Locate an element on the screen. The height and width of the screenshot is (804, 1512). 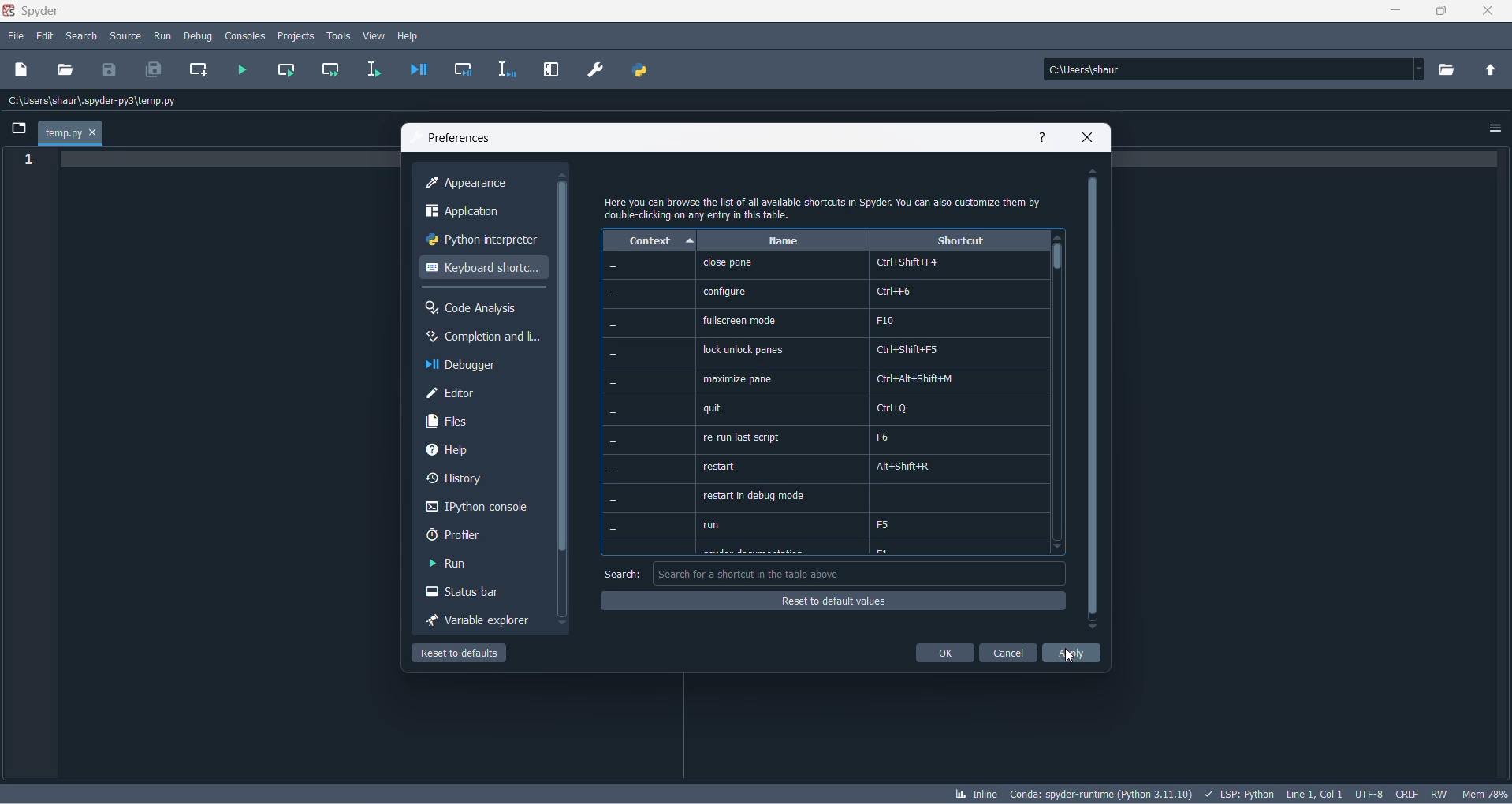
memory usage is located at coordinates (1487, 794).